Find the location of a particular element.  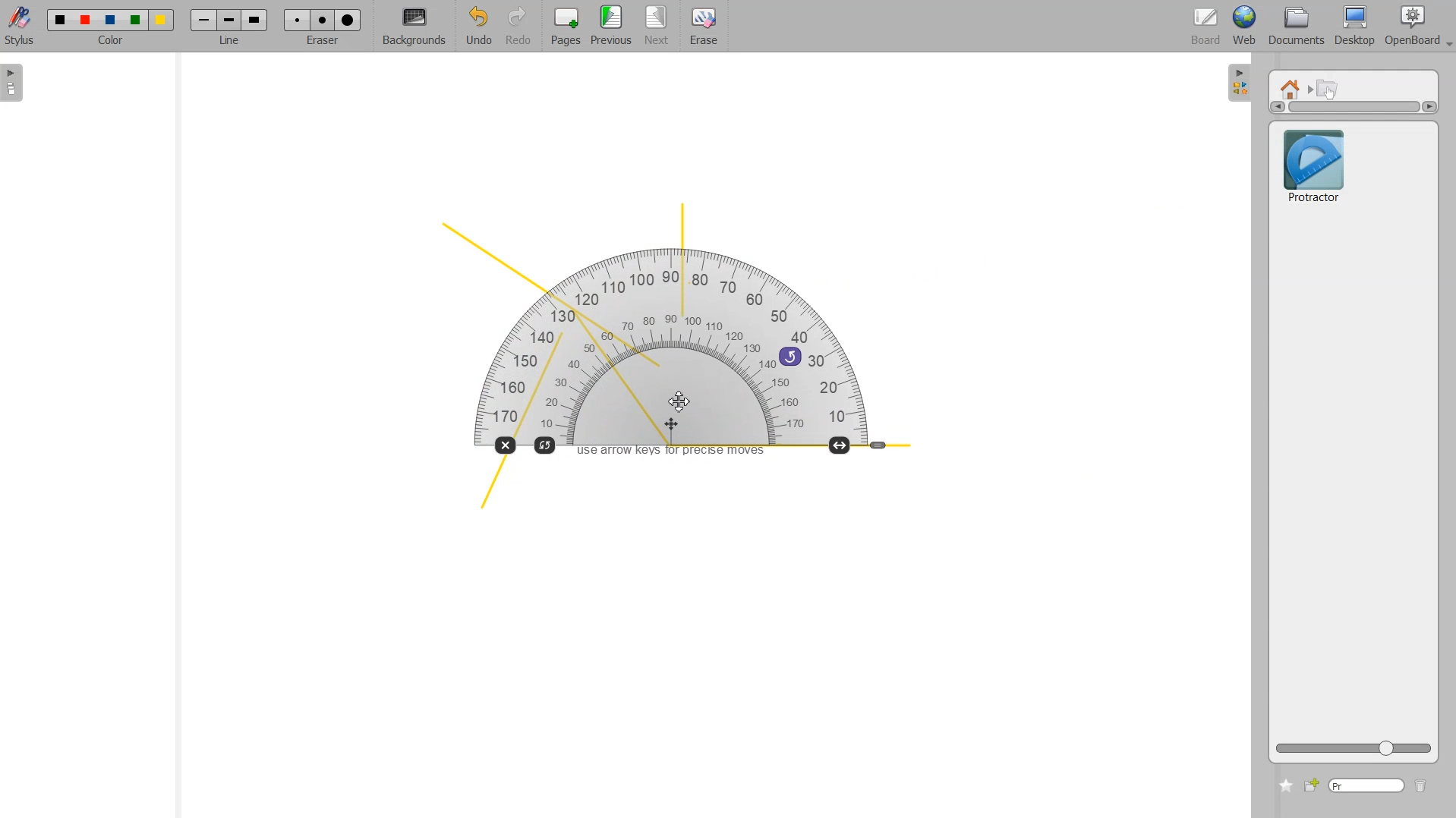

Open Board is located at coordinates (1418, 27).